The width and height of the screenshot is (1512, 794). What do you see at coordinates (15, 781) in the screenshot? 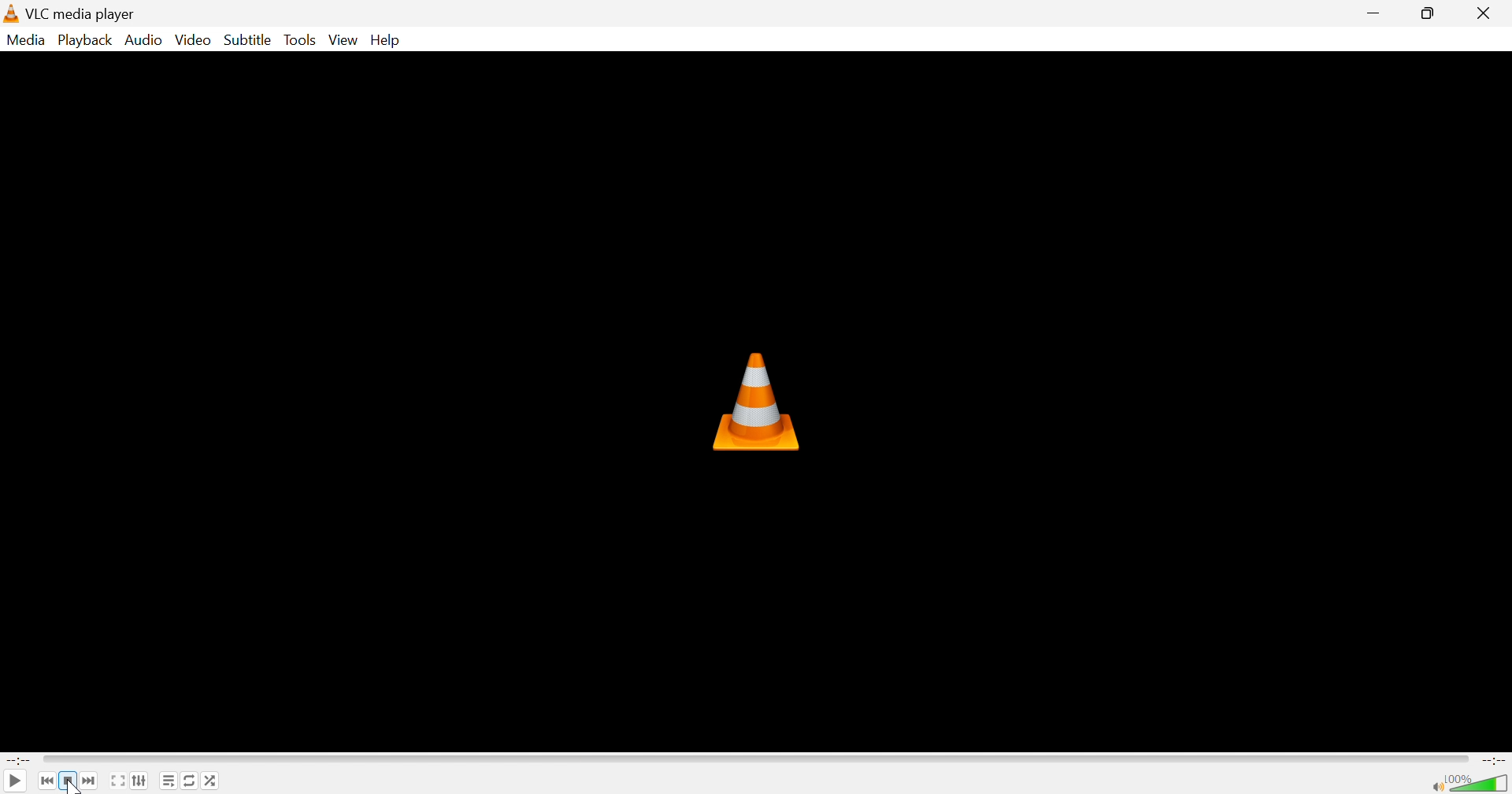
I see `Play ` at bounding box center [15, 781].